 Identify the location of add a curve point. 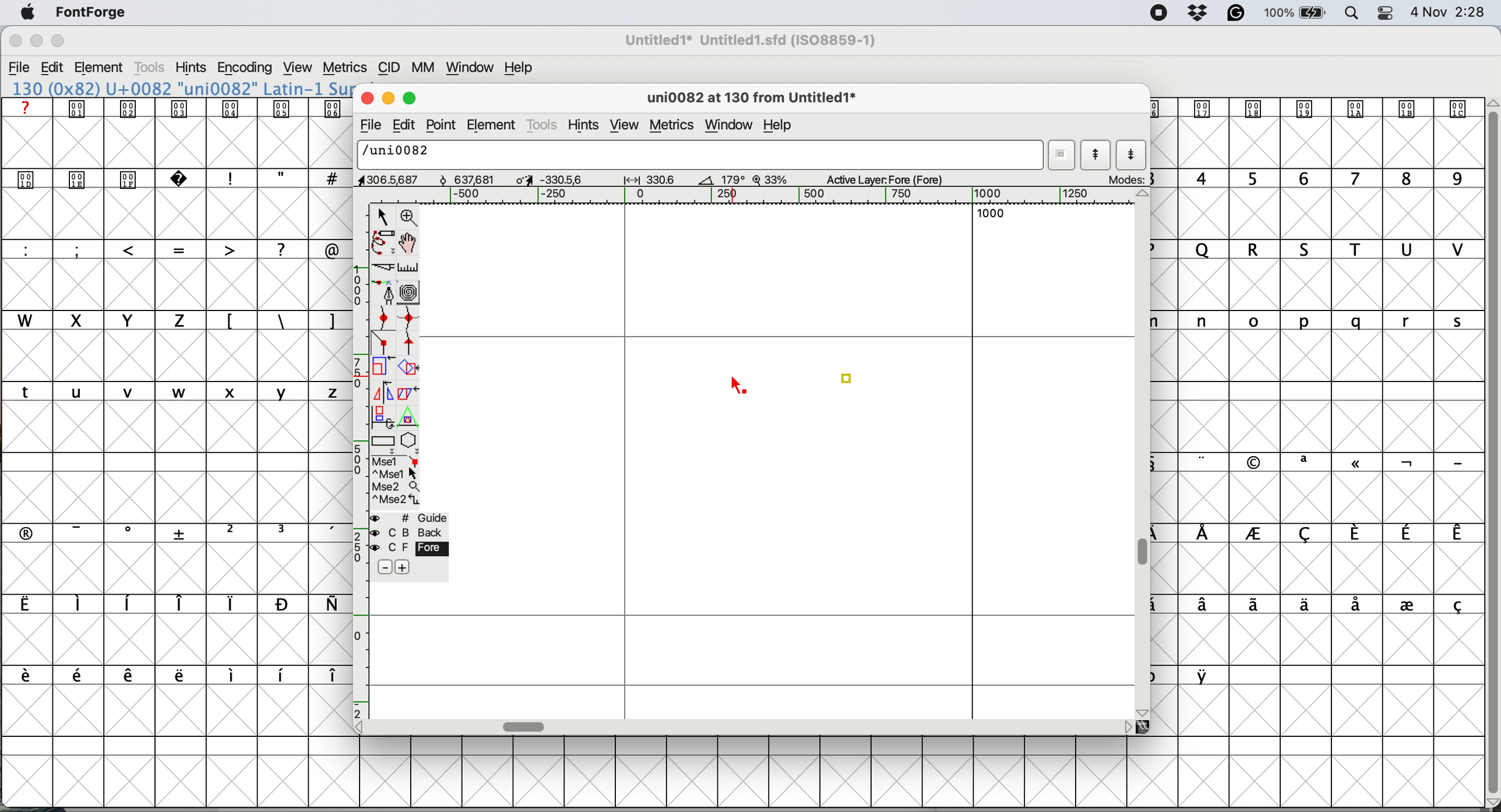
(383, 317).